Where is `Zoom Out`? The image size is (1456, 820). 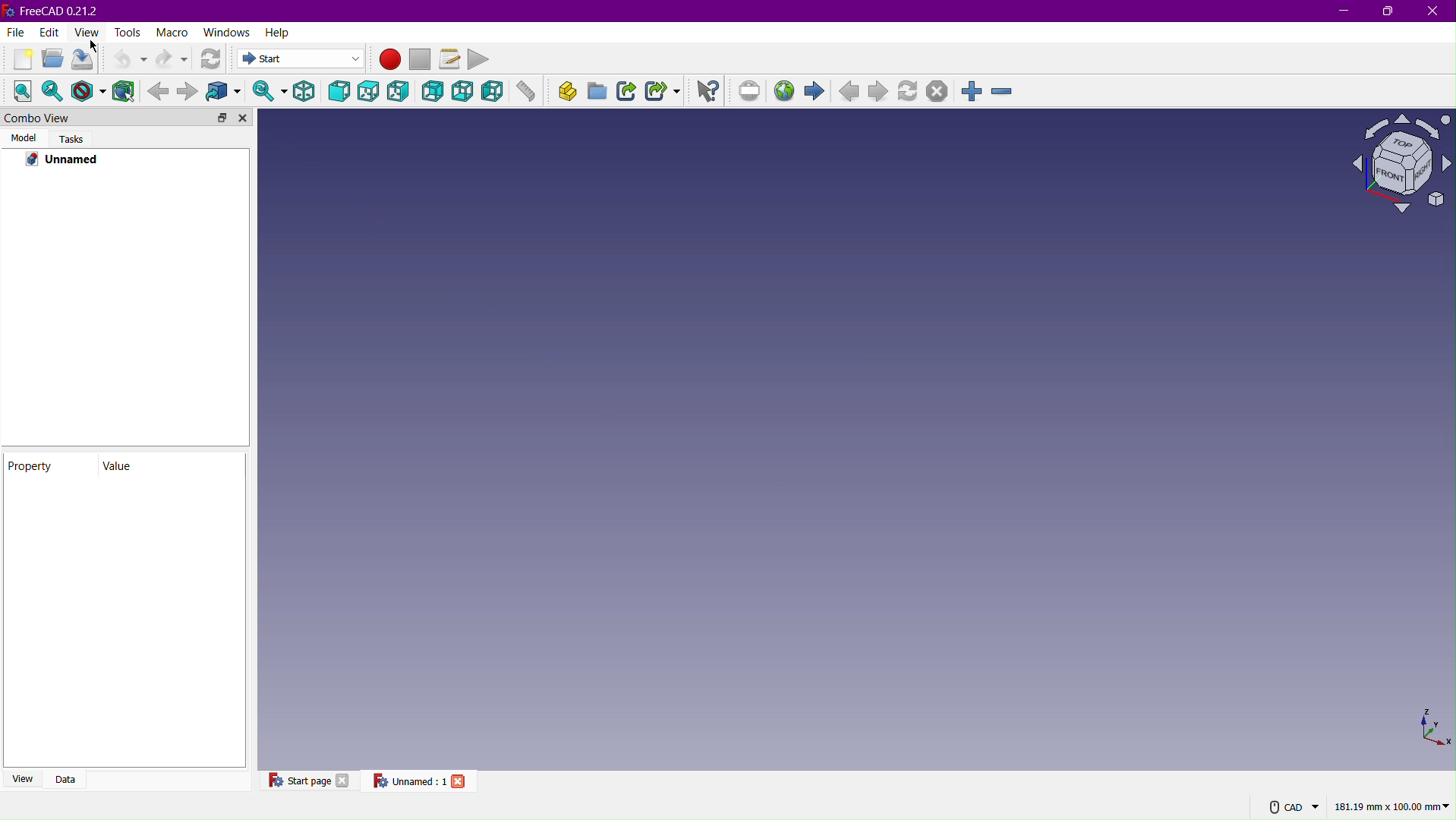 Zoom Out is located at coordinates (1001, 92).